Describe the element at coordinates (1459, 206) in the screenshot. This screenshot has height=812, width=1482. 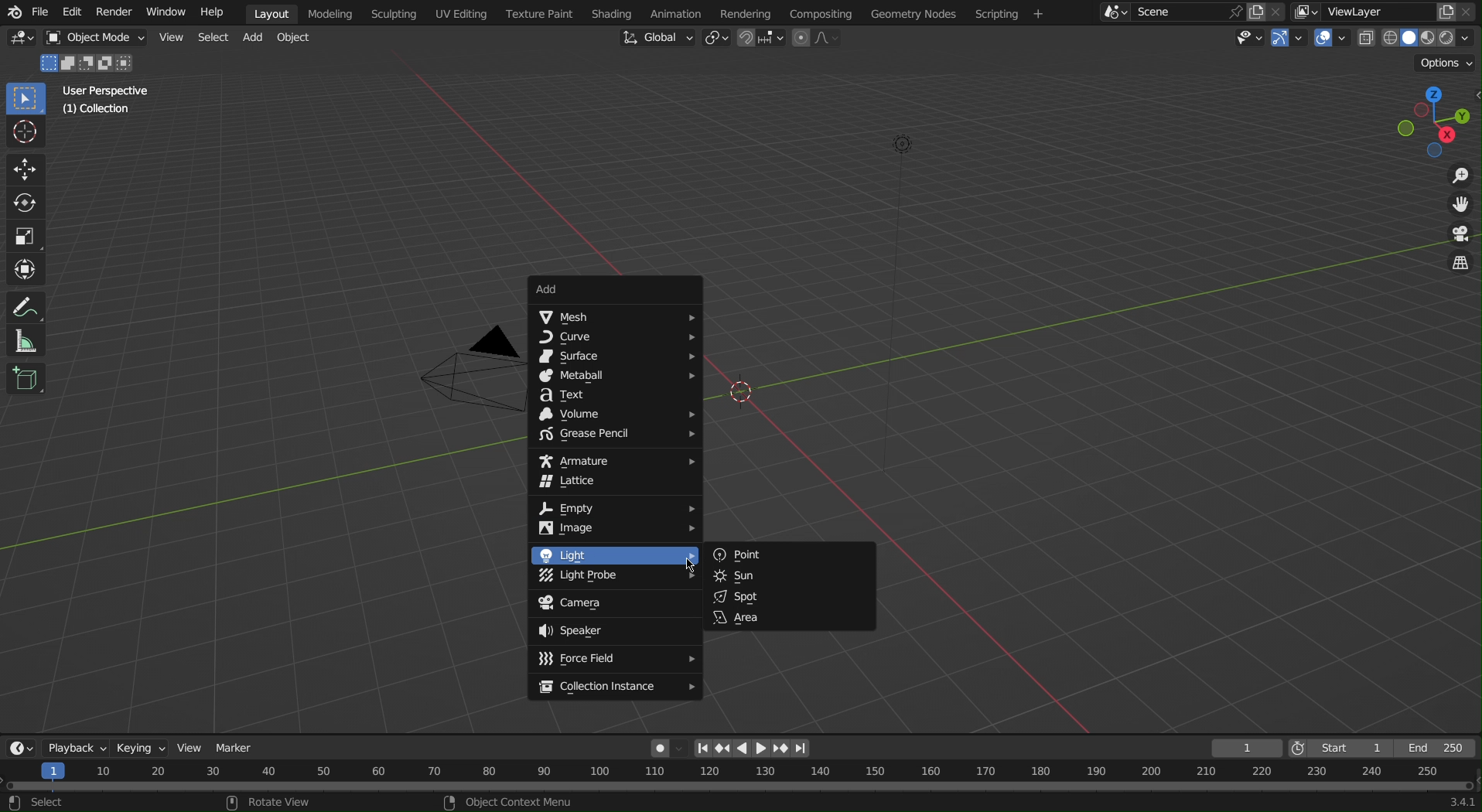
I see `Move View` at that location.